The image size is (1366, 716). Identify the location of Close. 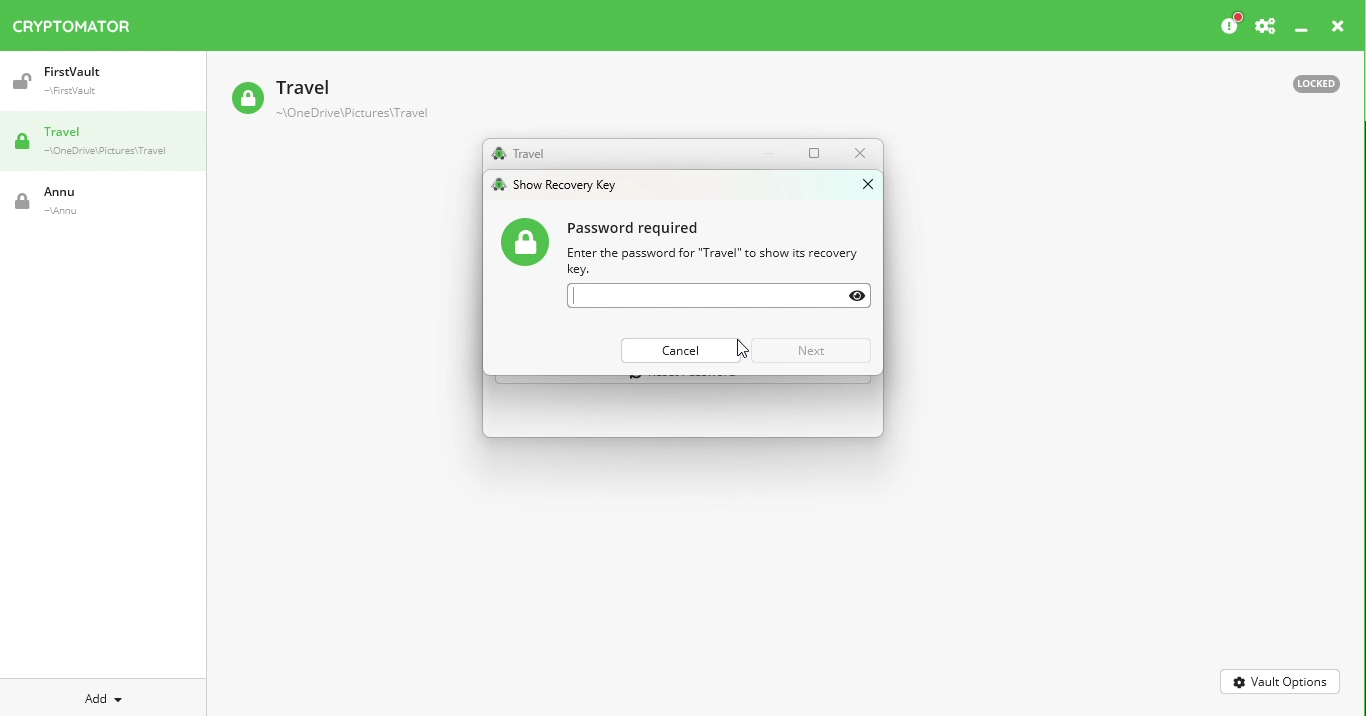
(1338, 29).